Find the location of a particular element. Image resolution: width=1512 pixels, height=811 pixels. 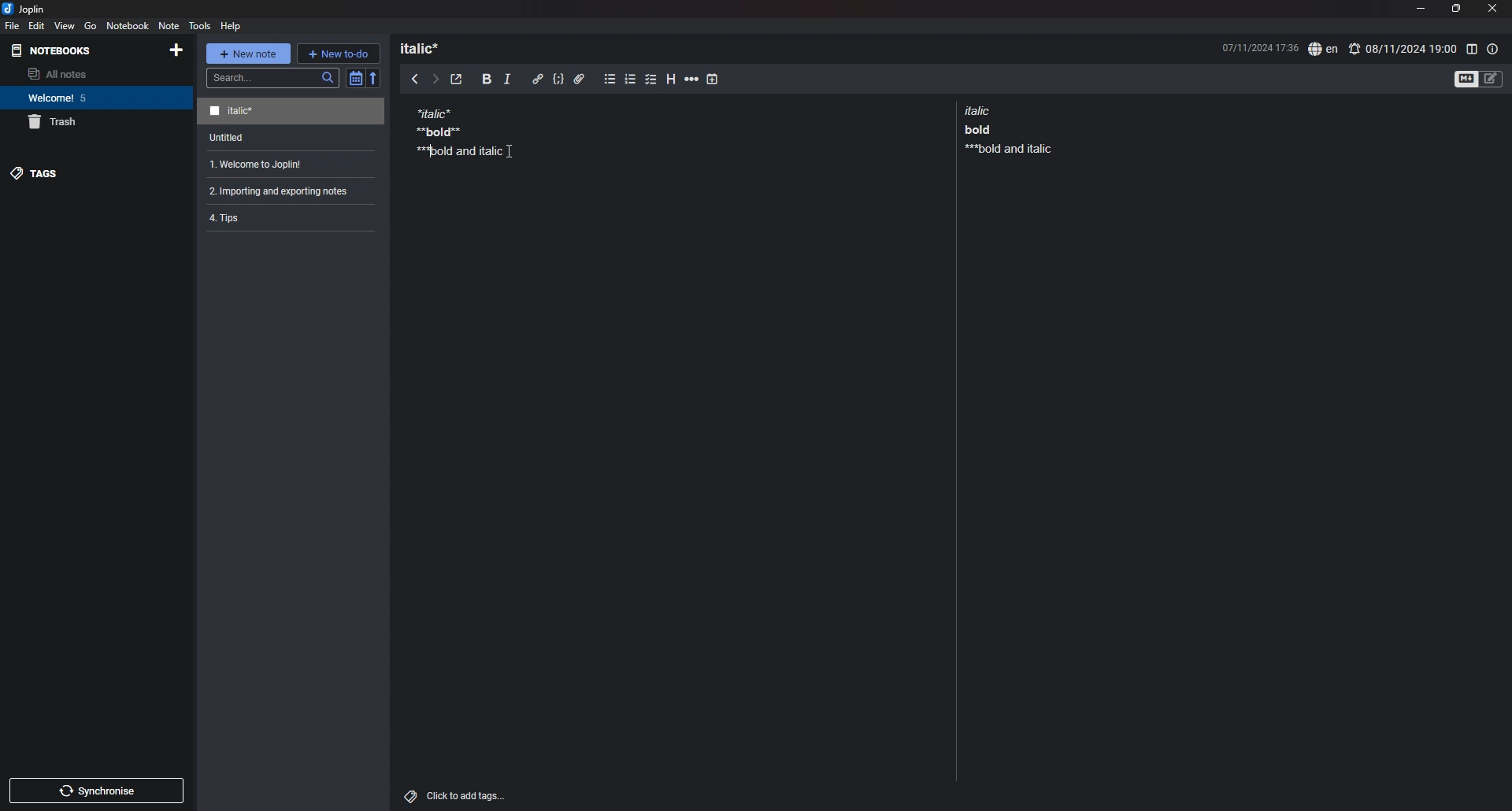

italic is located at coordinates (507, 82).